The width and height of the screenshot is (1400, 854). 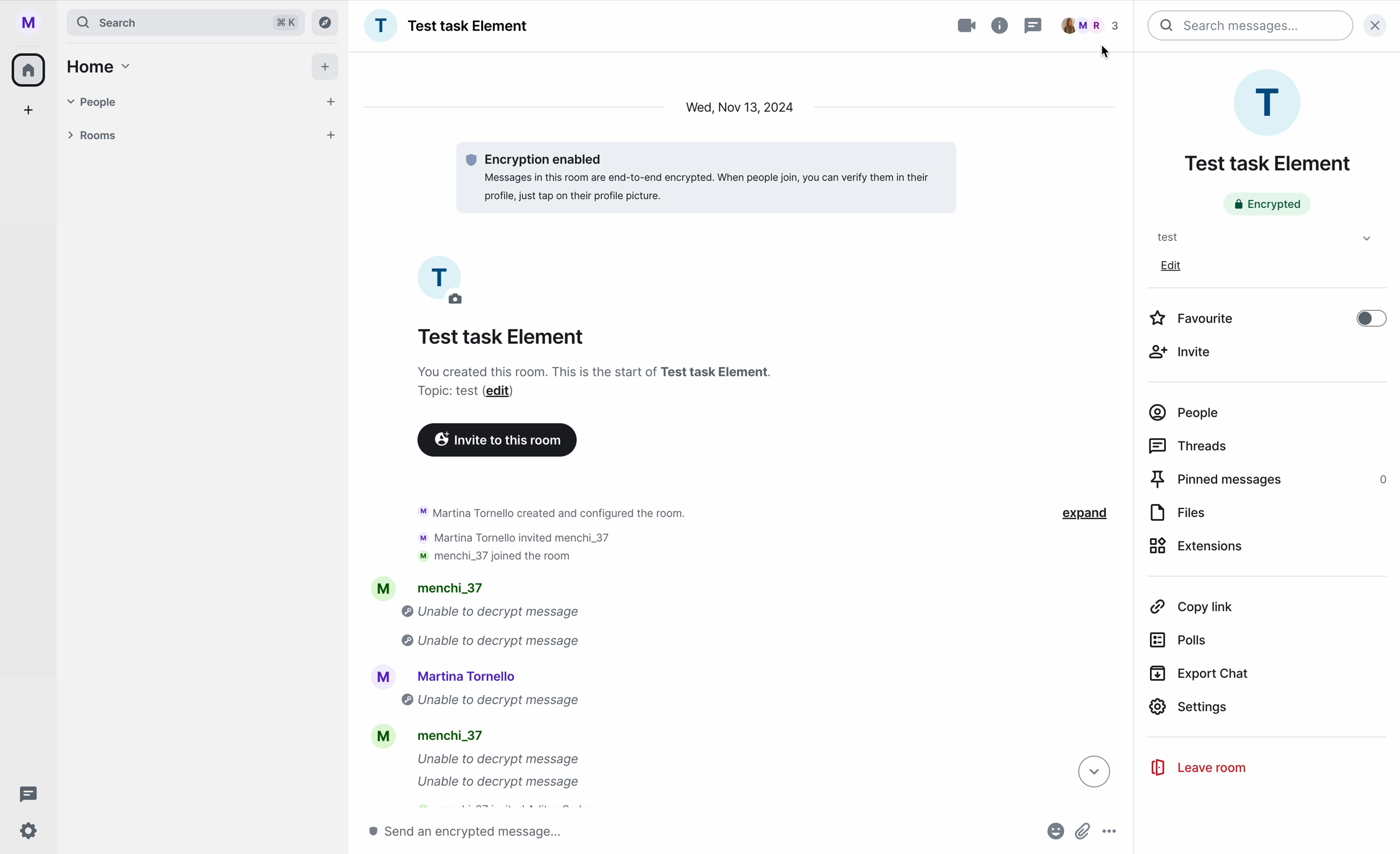 What do you see at coordinates (1270, 102) in the screenshot?
I see `profile room picture` at bounding box center [1270, 102].